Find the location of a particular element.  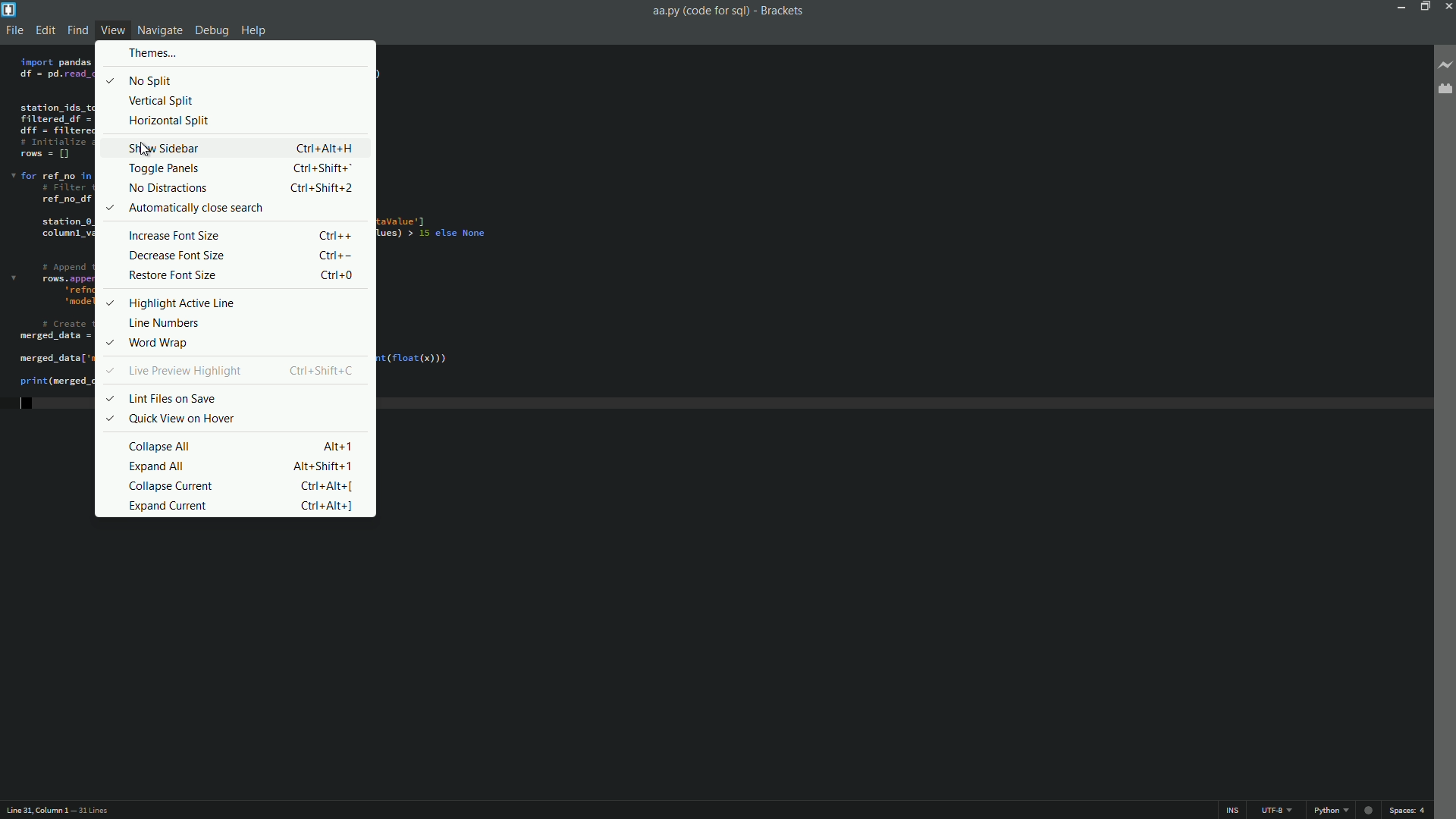

increase font size is located at coordinates (245, 234).